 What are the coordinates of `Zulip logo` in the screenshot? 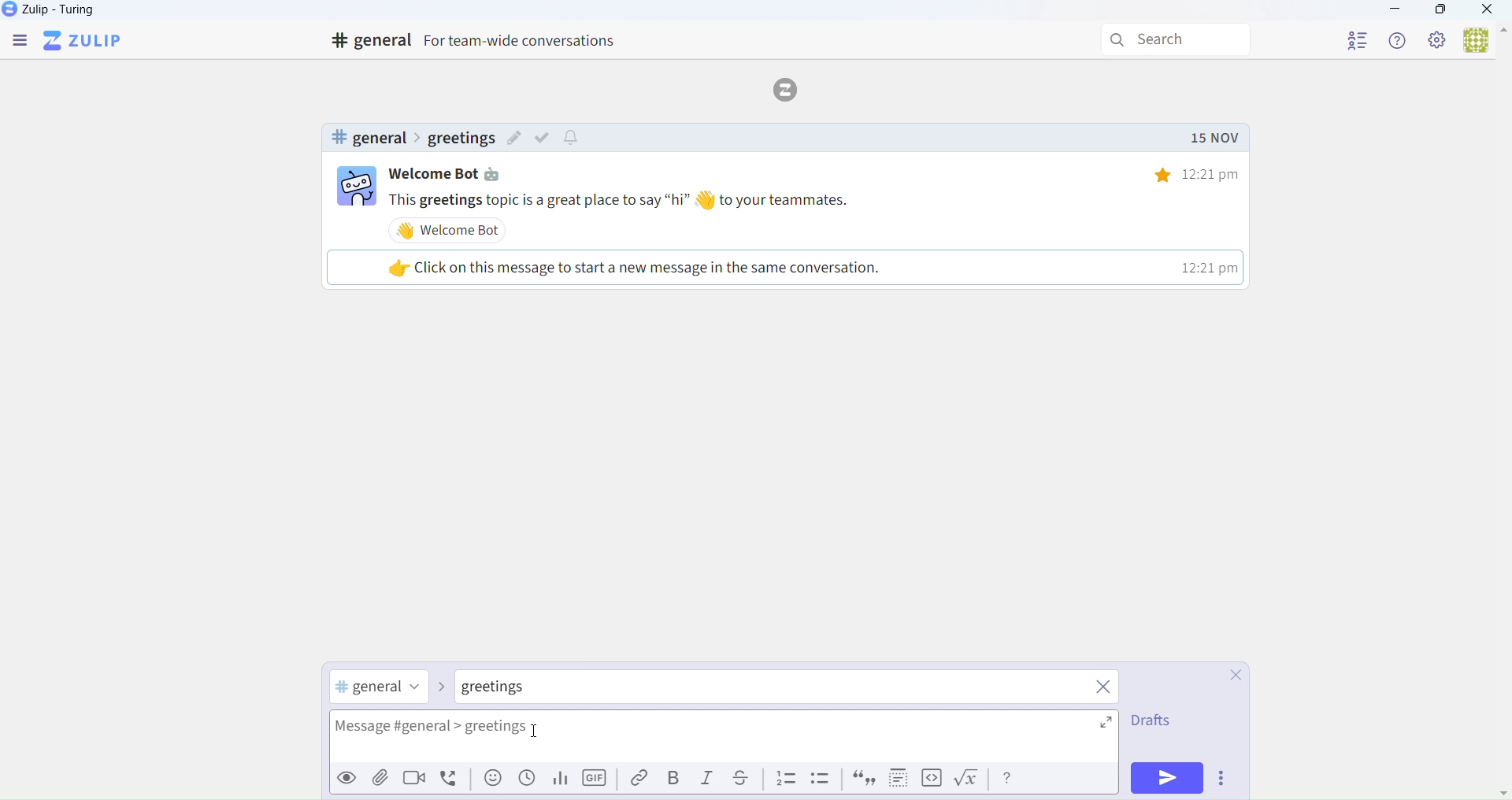 It's located at (86, 41).